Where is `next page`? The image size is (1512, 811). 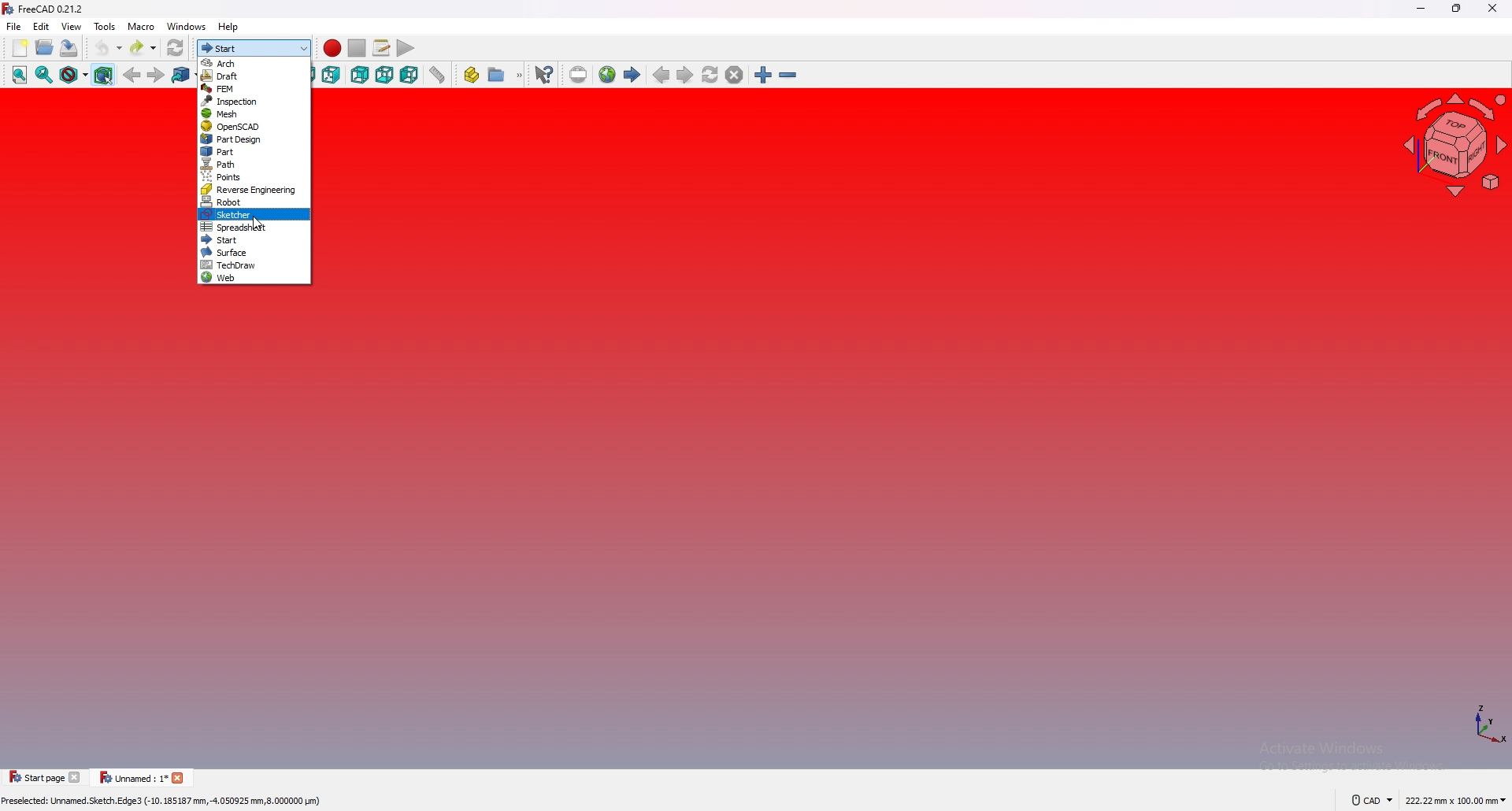 next page is located at coordinates (685, 75).